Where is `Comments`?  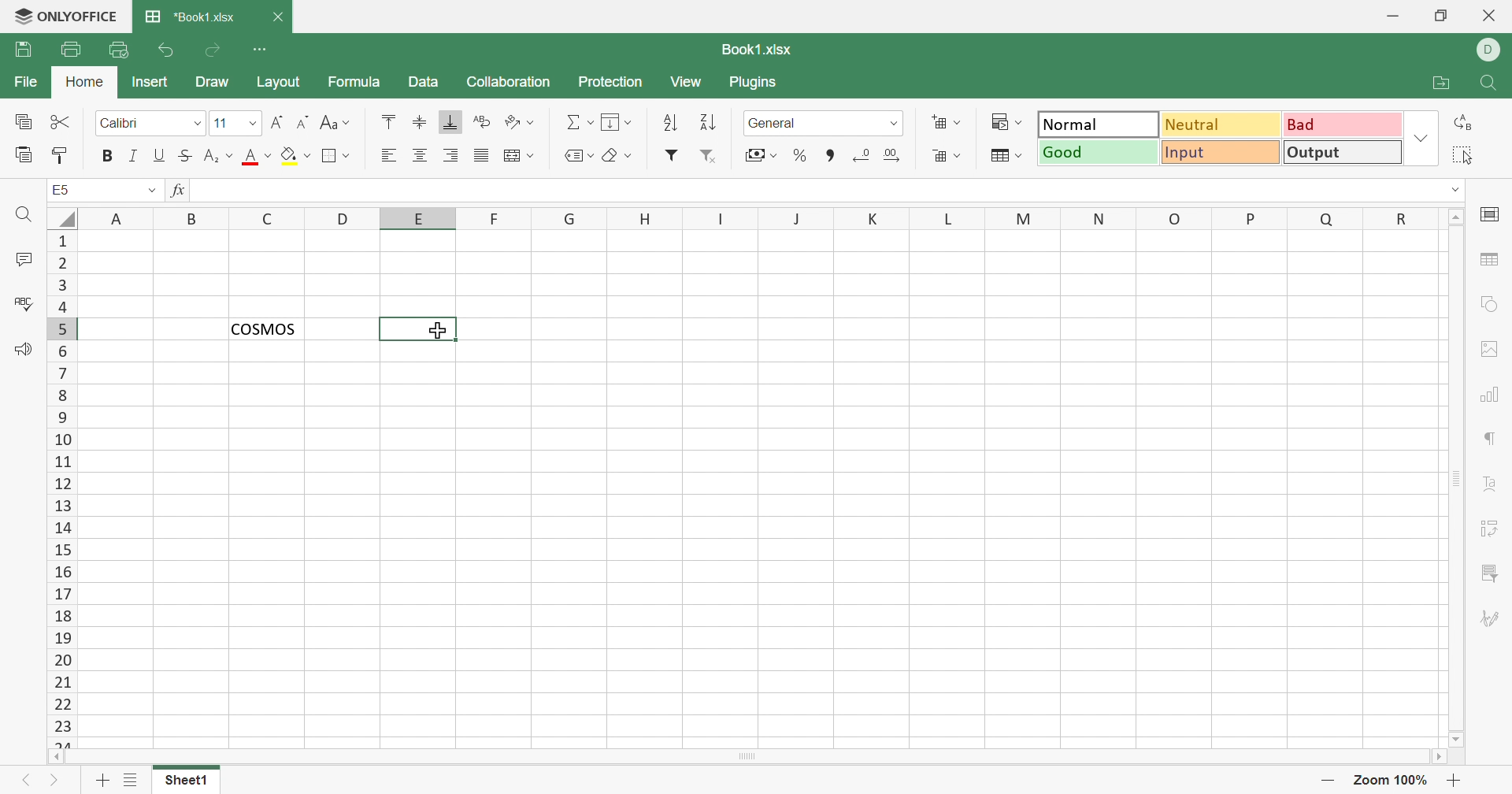
Comments is located at coordinates (22, 258).